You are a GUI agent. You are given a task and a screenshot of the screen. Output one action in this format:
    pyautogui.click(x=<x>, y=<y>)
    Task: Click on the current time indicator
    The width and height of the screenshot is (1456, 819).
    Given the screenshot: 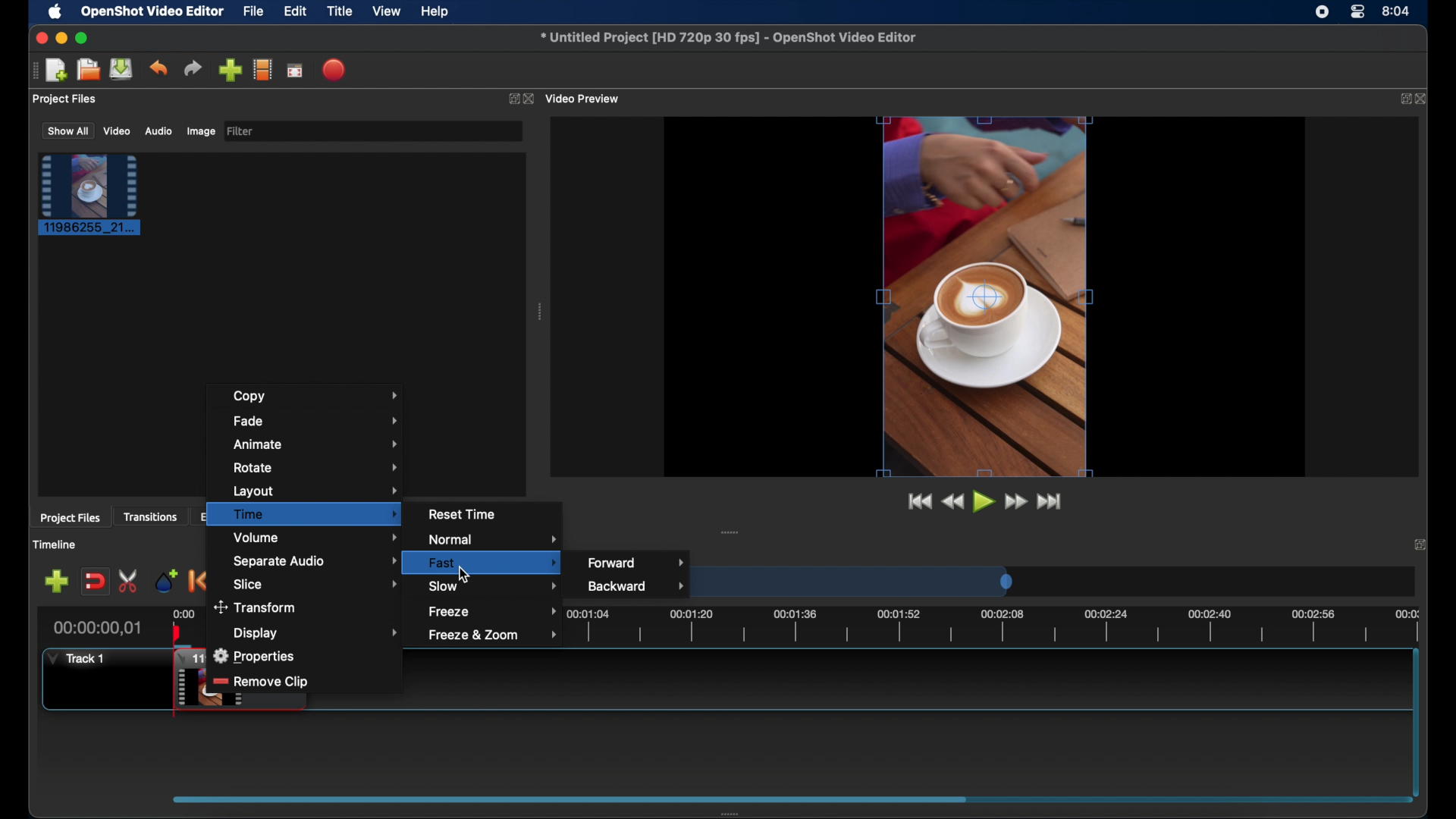 What is the action you would take?
    pyautogui.click(x=98, y=628)
    